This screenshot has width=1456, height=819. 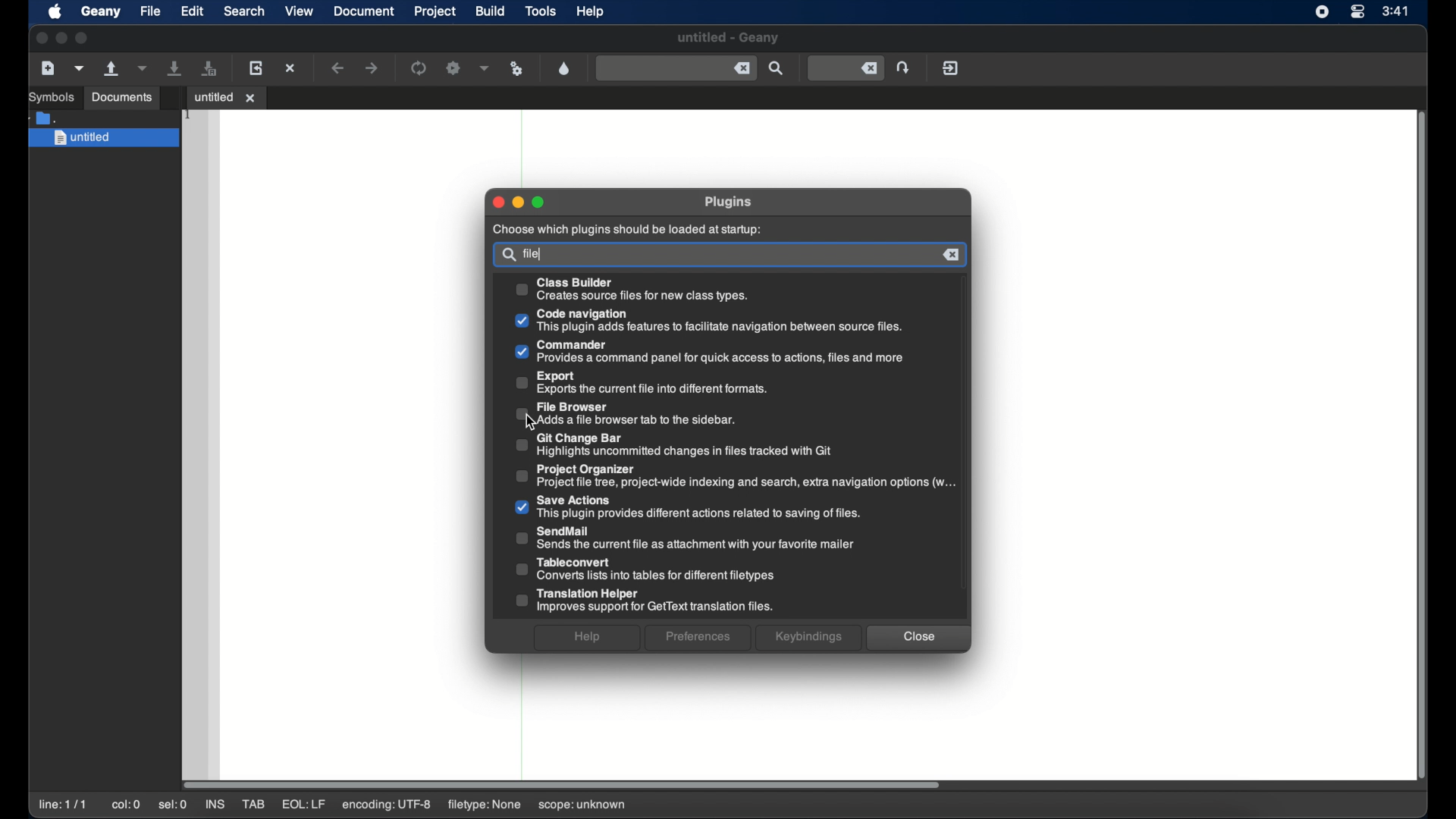 I want to click on , so click(x=540, y=202).